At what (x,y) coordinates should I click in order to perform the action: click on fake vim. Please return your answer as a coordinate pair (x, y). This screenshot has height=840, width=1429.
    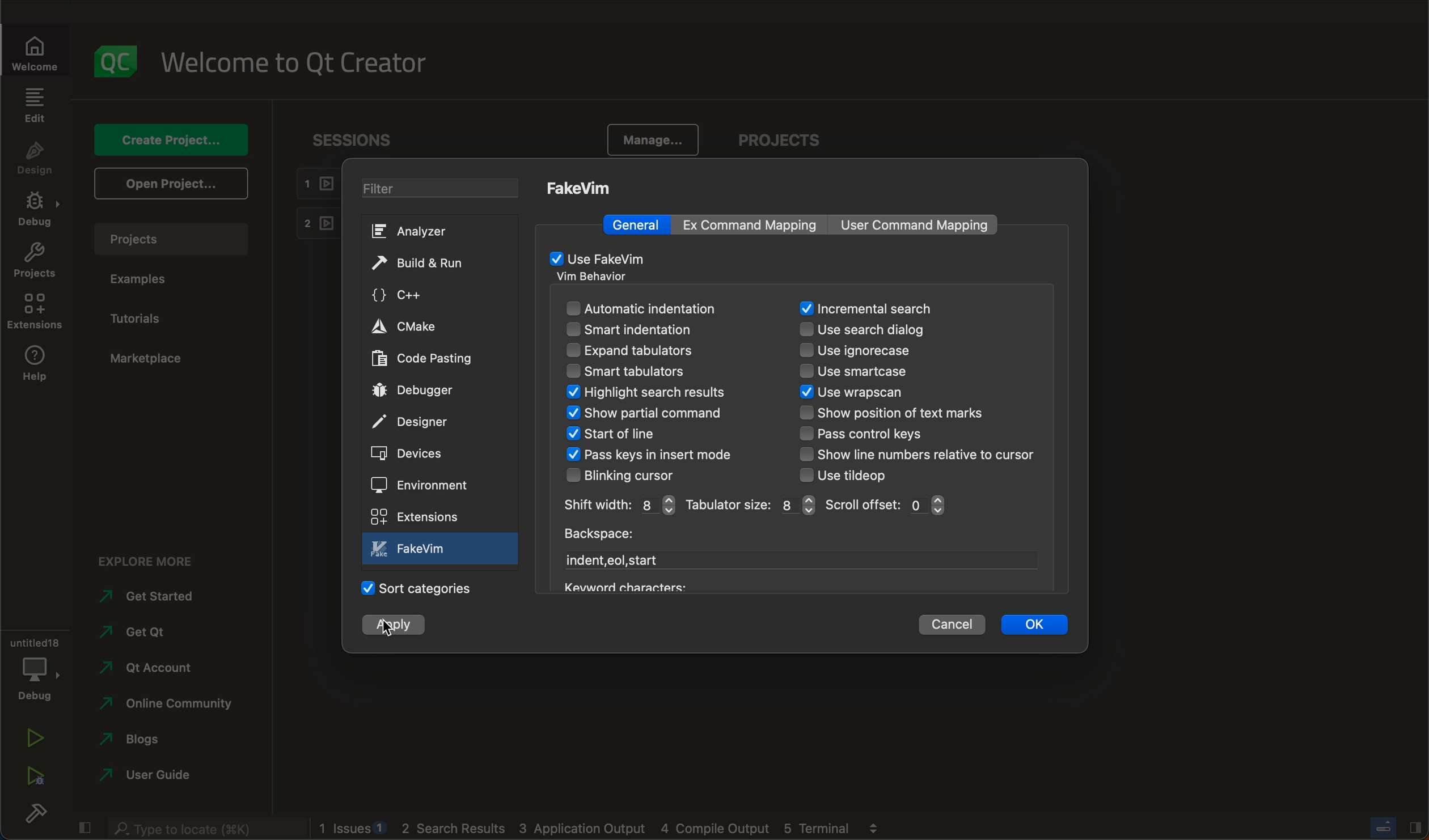
    Looking at the image, I should click on (442, 549).